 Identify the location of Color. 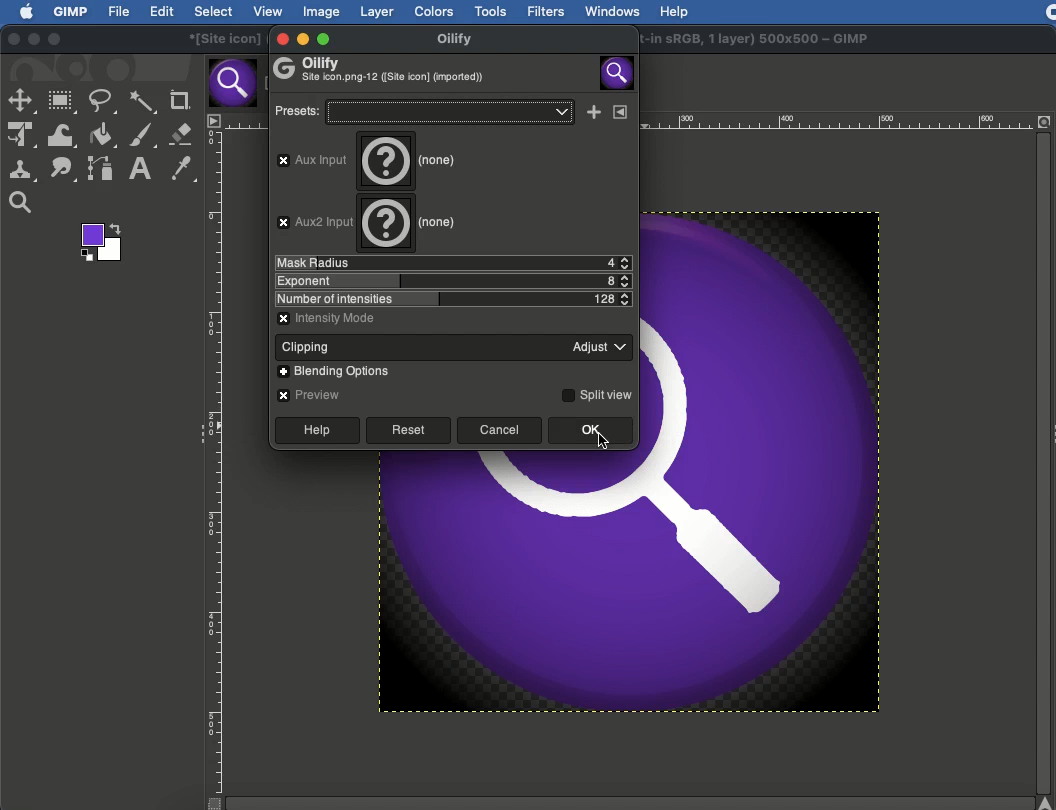
(99, 243).